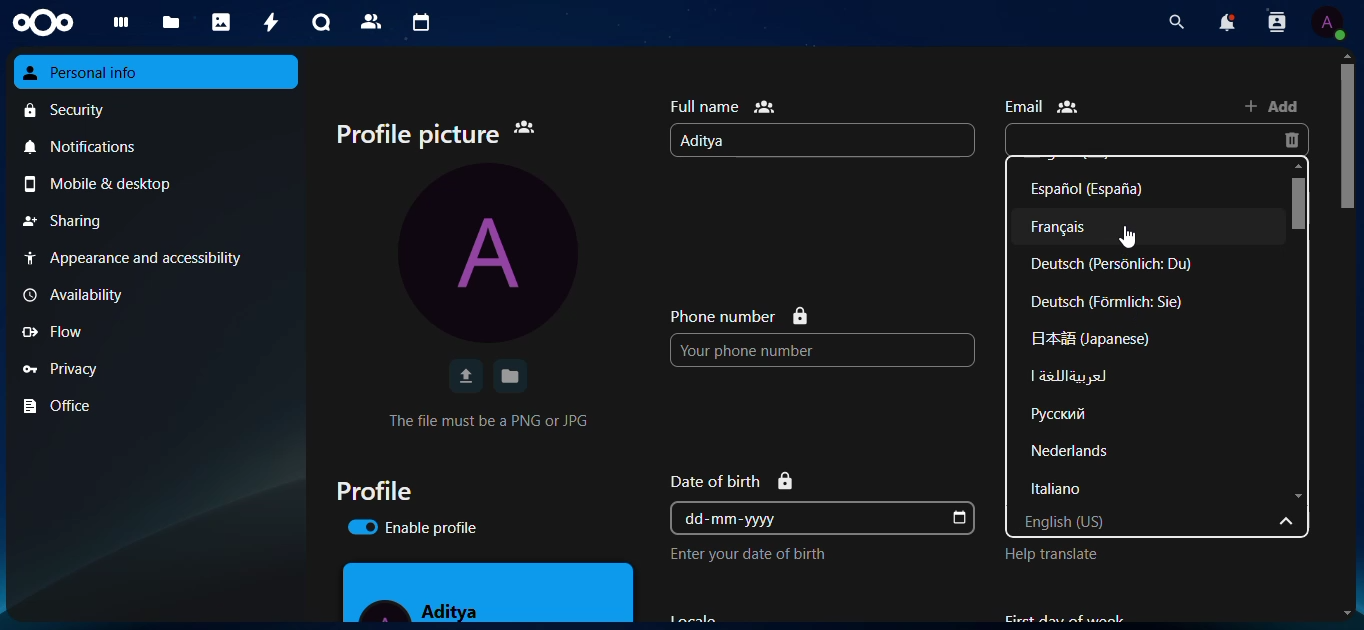 This screenshot has width=1364, height=630. Describe the element at coordinates (420, 23) in the screenshot. I see `calendar` at that location.